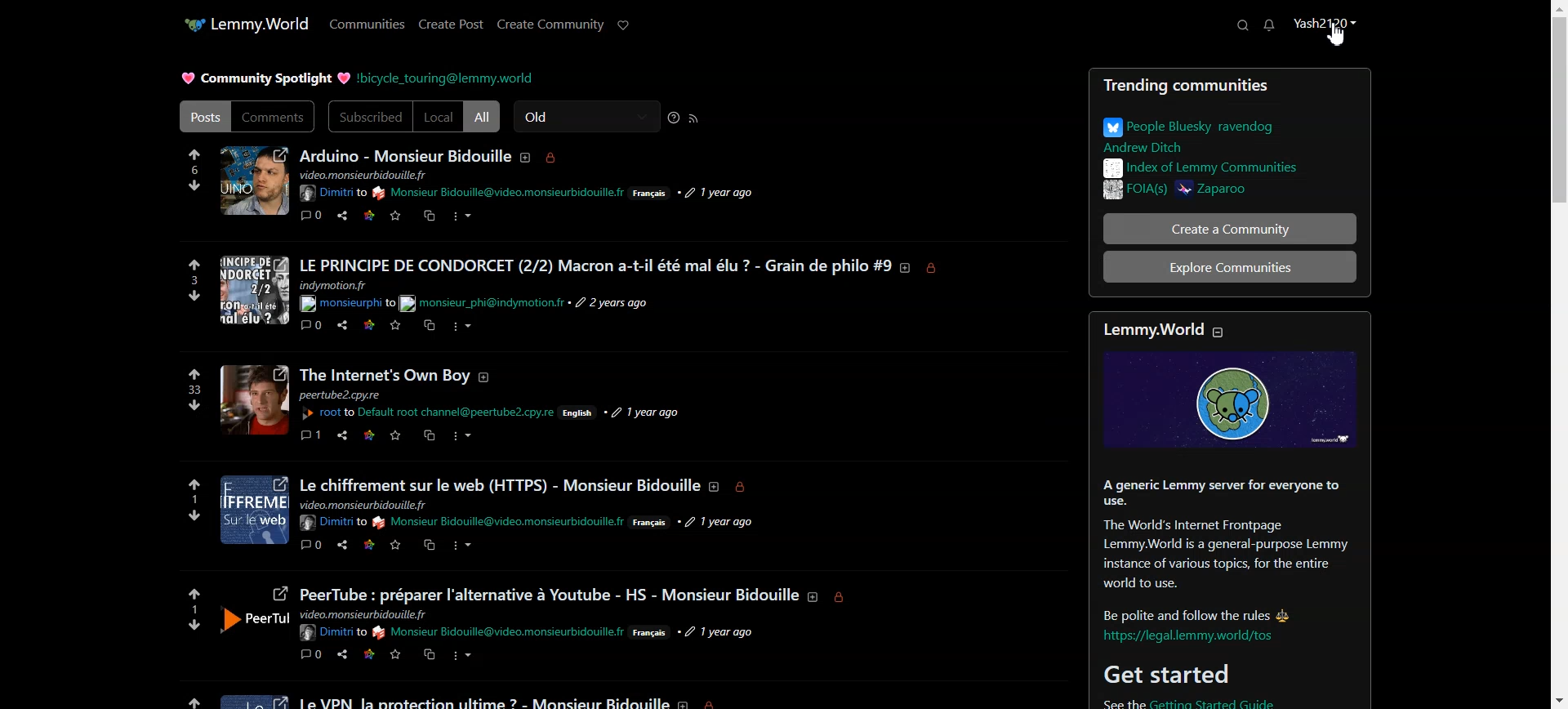 This screenshot has width=1568, height=709. Describe the element at coordinates (937, 269) in the screenshot. I see `locked` at that location.